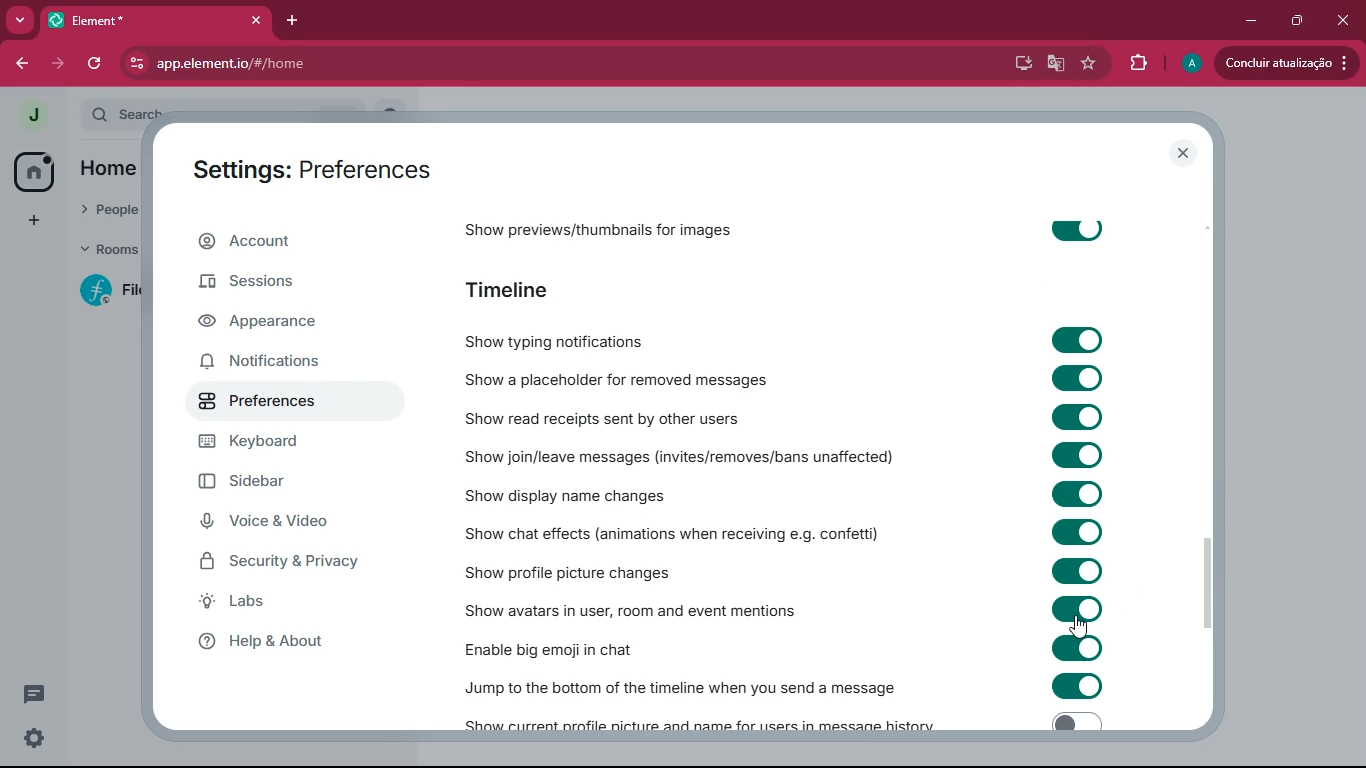 This screenshot has height=768, width=1366. Describe the element at coordinates (304, 166) in the screenshot. I see `settings: preferences` at that location.